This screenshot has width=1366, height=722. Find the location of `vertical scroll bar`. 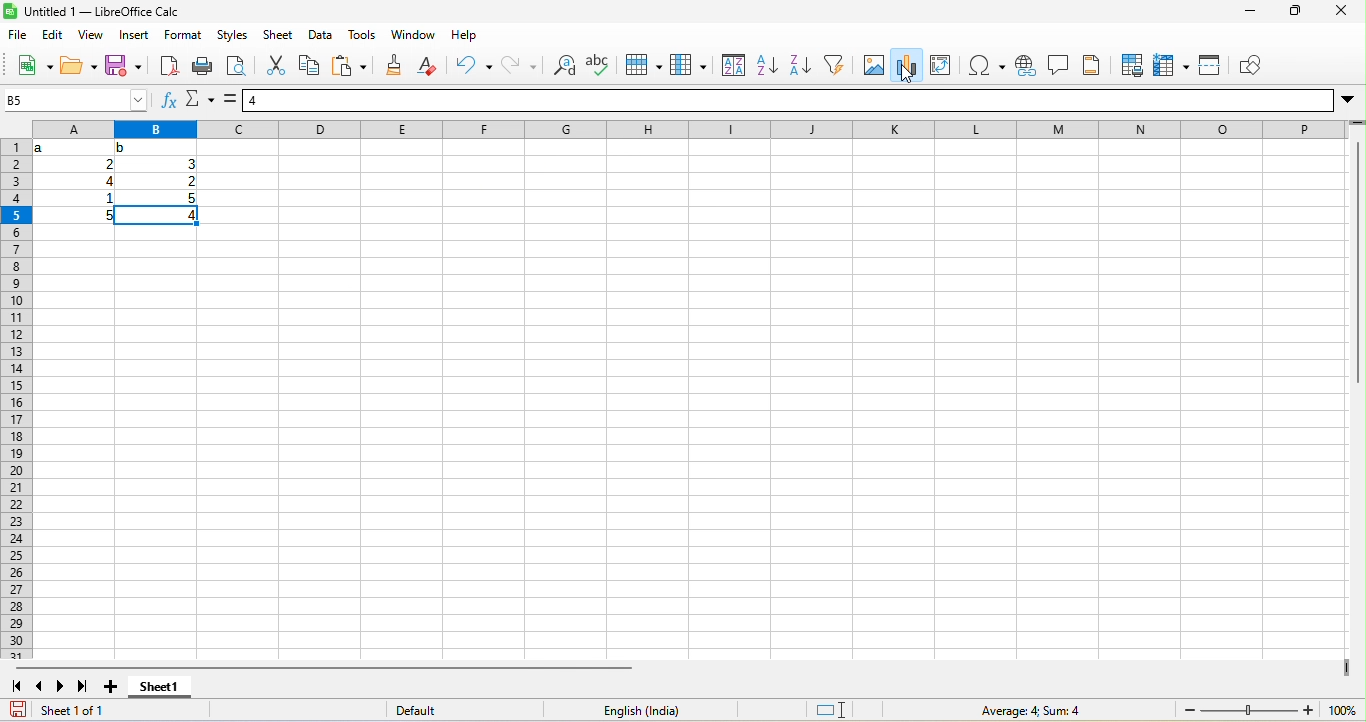

vertical scroll bar is located at coordinates (1357, 256).